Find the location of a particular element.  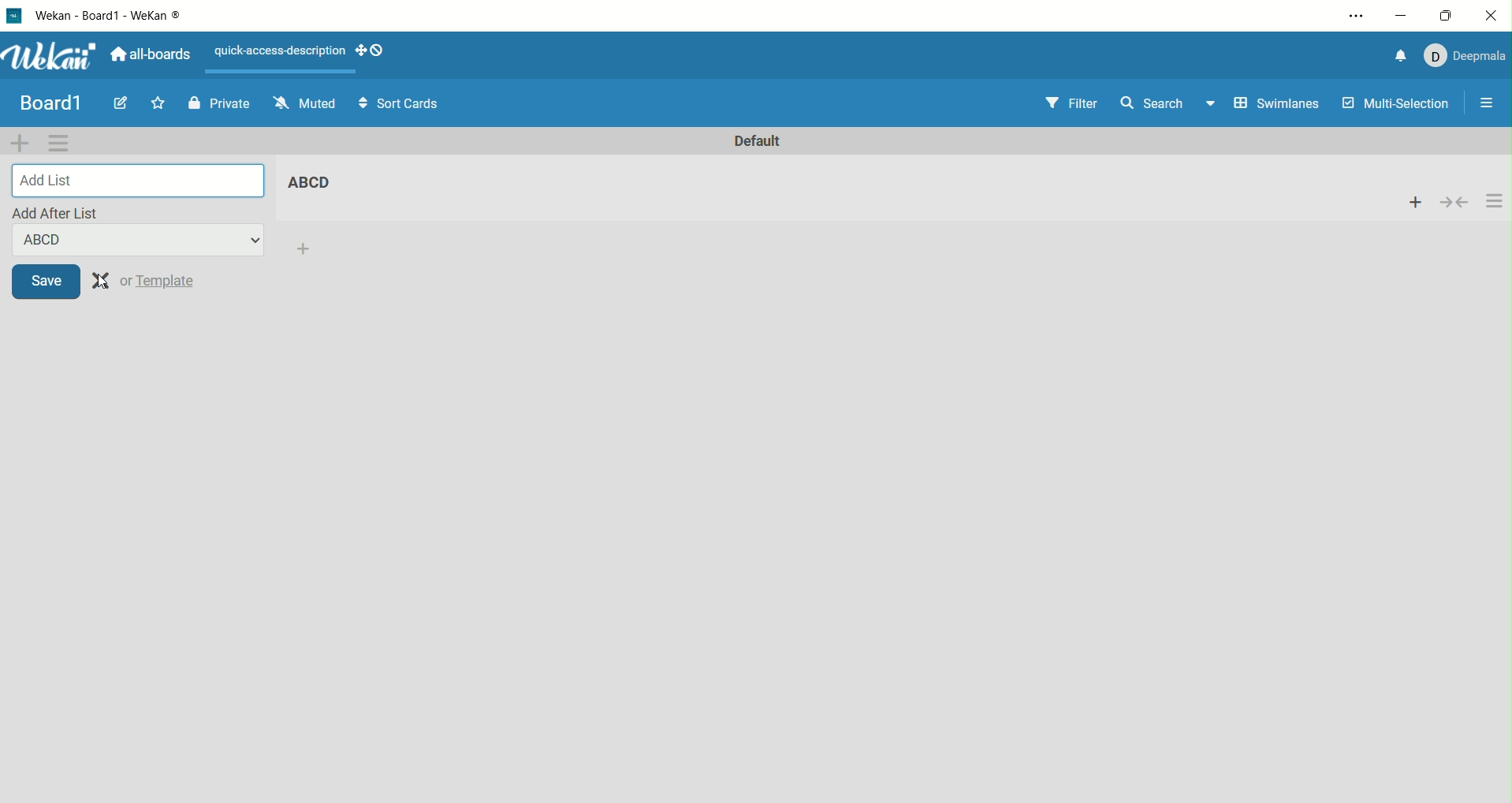

list title is located at coordinates (313, 182).